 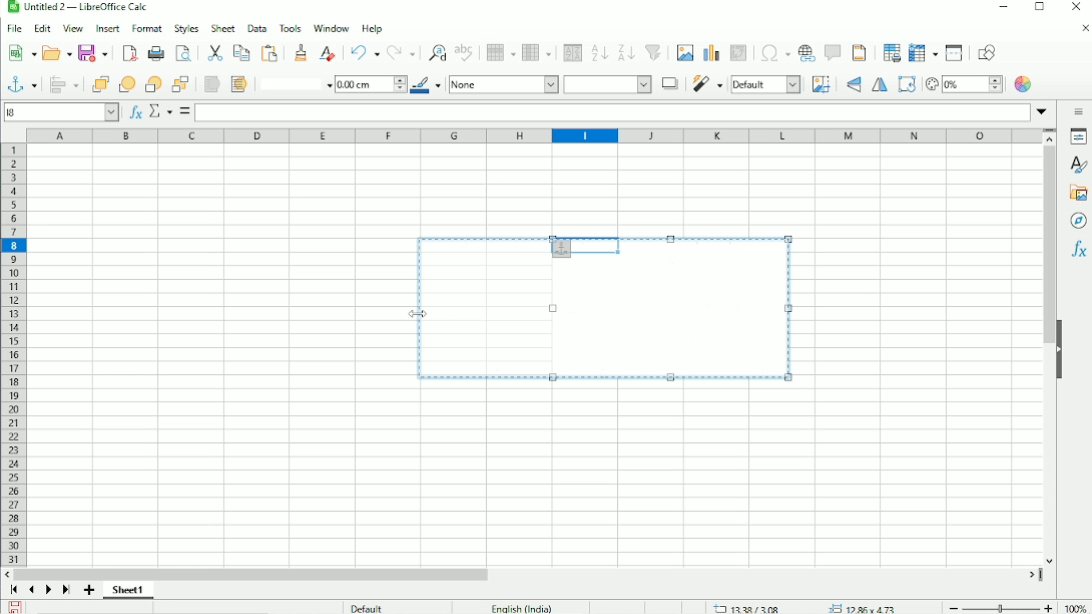 What do you see at coordinates (570, 52) in the screenshot?
I see `Sort` at bounding box center [570, 52].